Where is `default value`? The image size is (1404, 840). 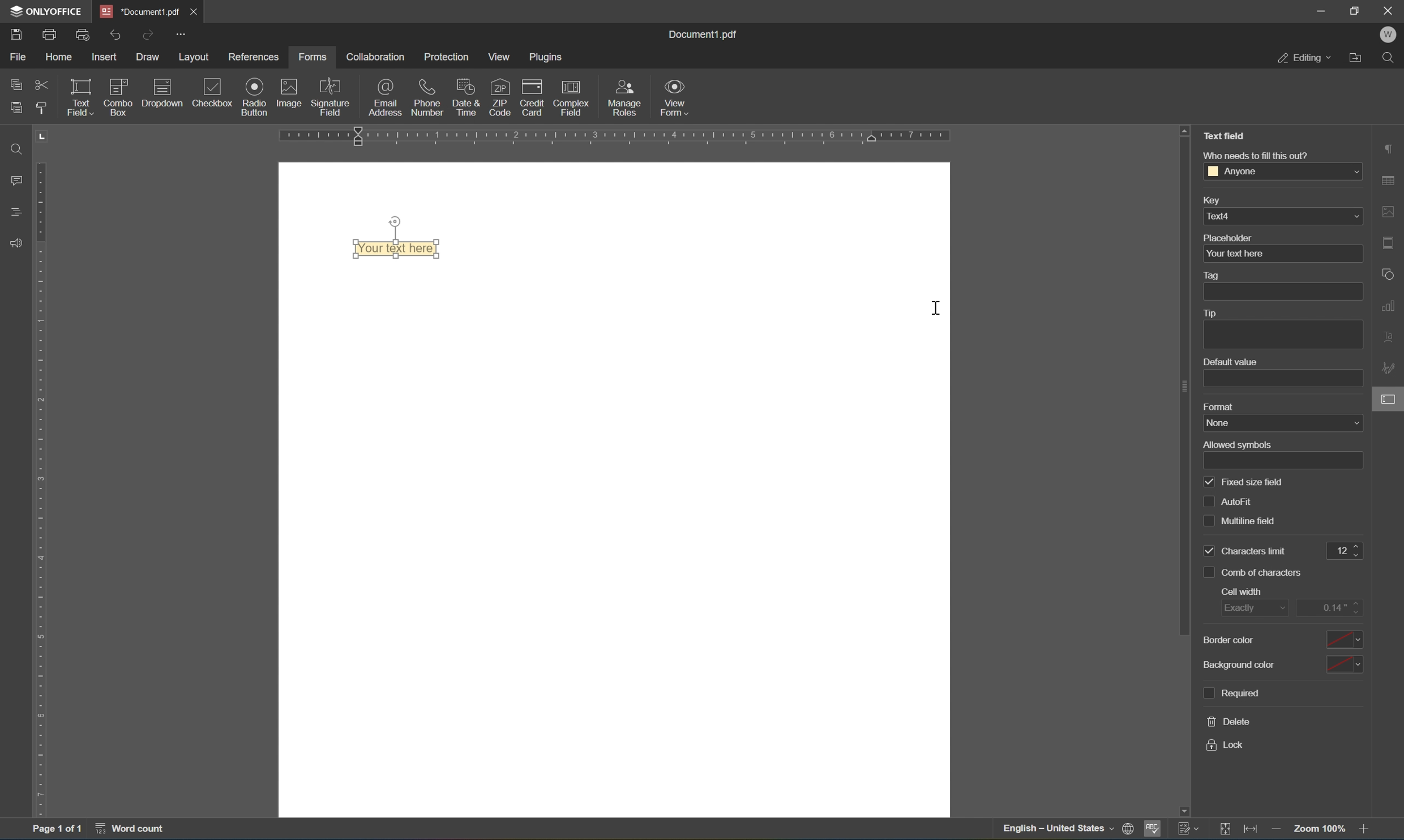 default value is located at coordinates (1231, 361).